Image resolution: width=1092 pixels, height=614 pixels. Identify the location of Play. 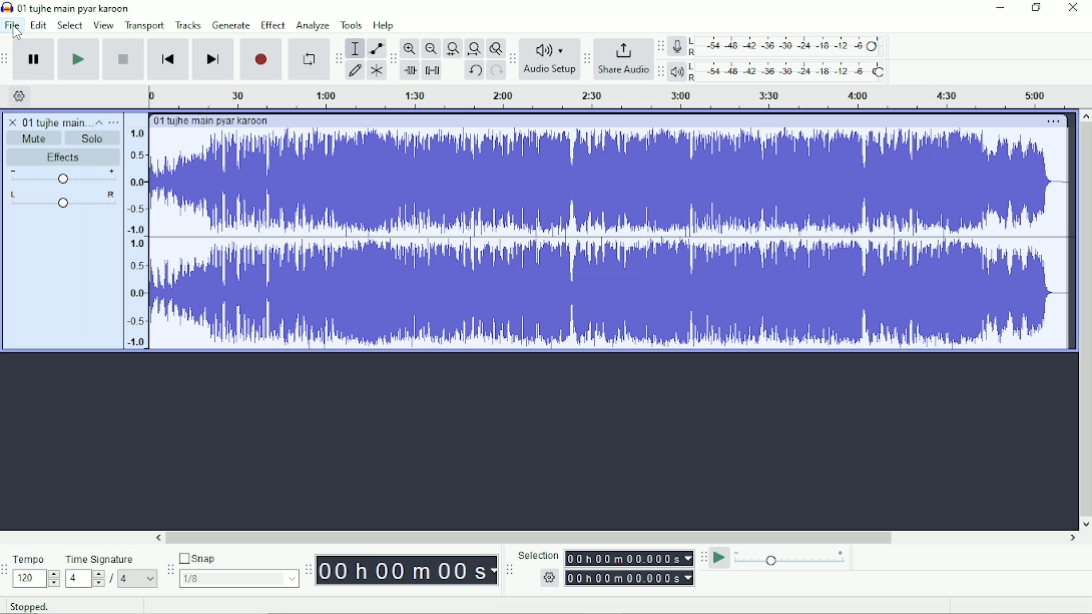
(79, 59).